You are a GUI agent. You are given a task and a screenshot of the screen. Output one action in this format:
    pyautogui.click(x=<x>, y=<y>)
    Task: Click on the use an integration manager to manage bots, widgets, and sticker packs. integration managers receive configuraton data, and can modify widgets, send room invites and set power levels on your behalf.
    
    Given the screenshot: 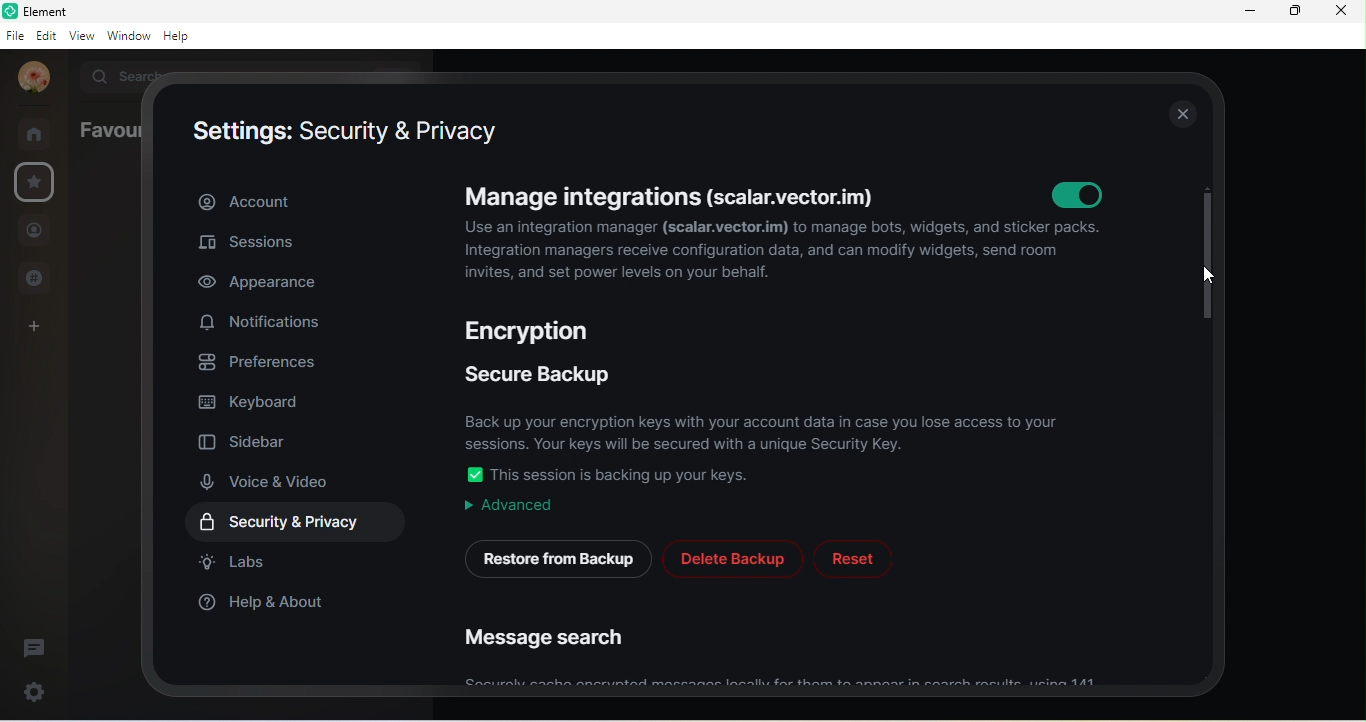 What is the action you would take?
    pyautogui.click(x=788, y=252)
    